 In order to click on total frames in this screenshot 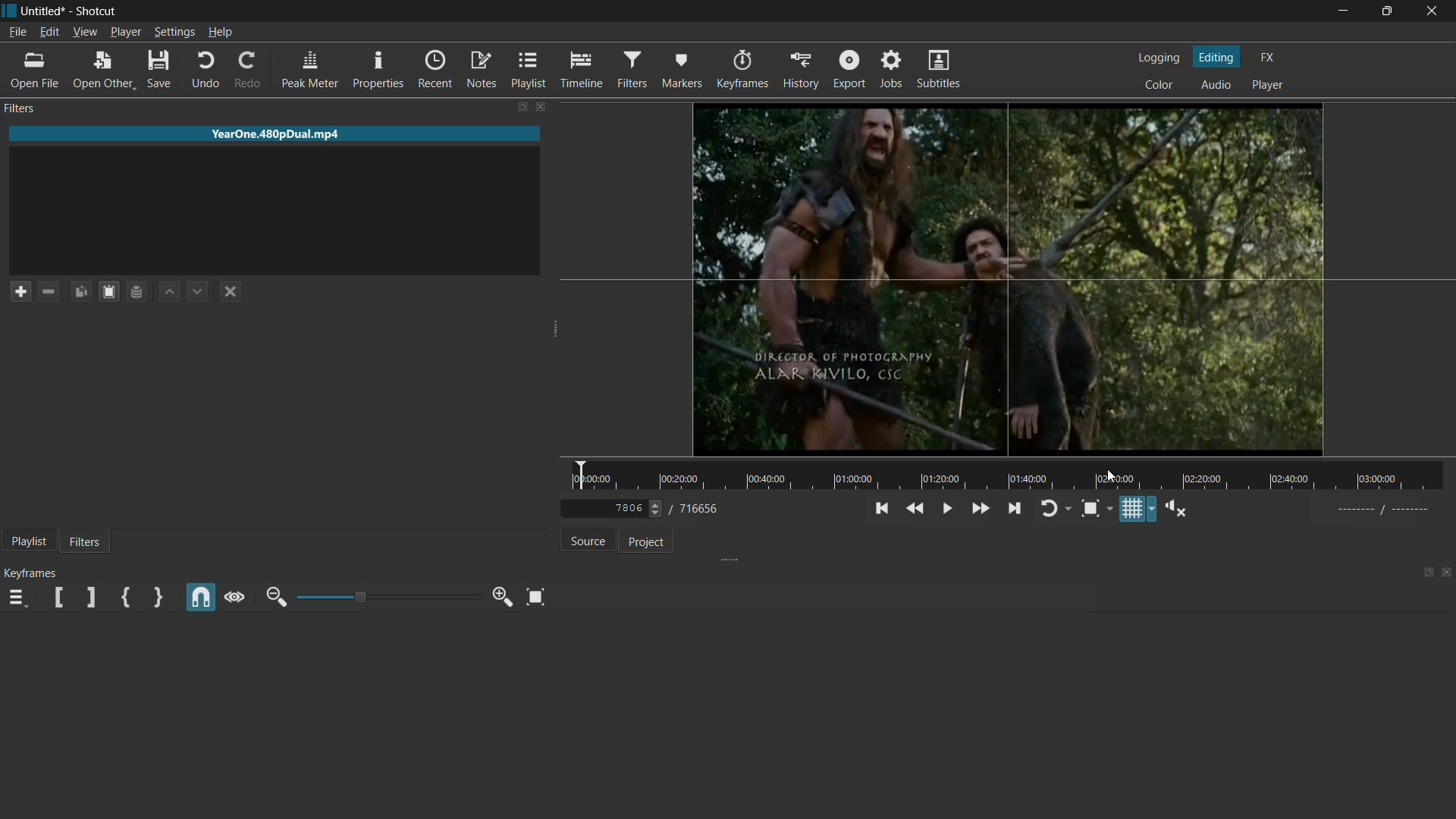, I will do `click(701, 510)`.